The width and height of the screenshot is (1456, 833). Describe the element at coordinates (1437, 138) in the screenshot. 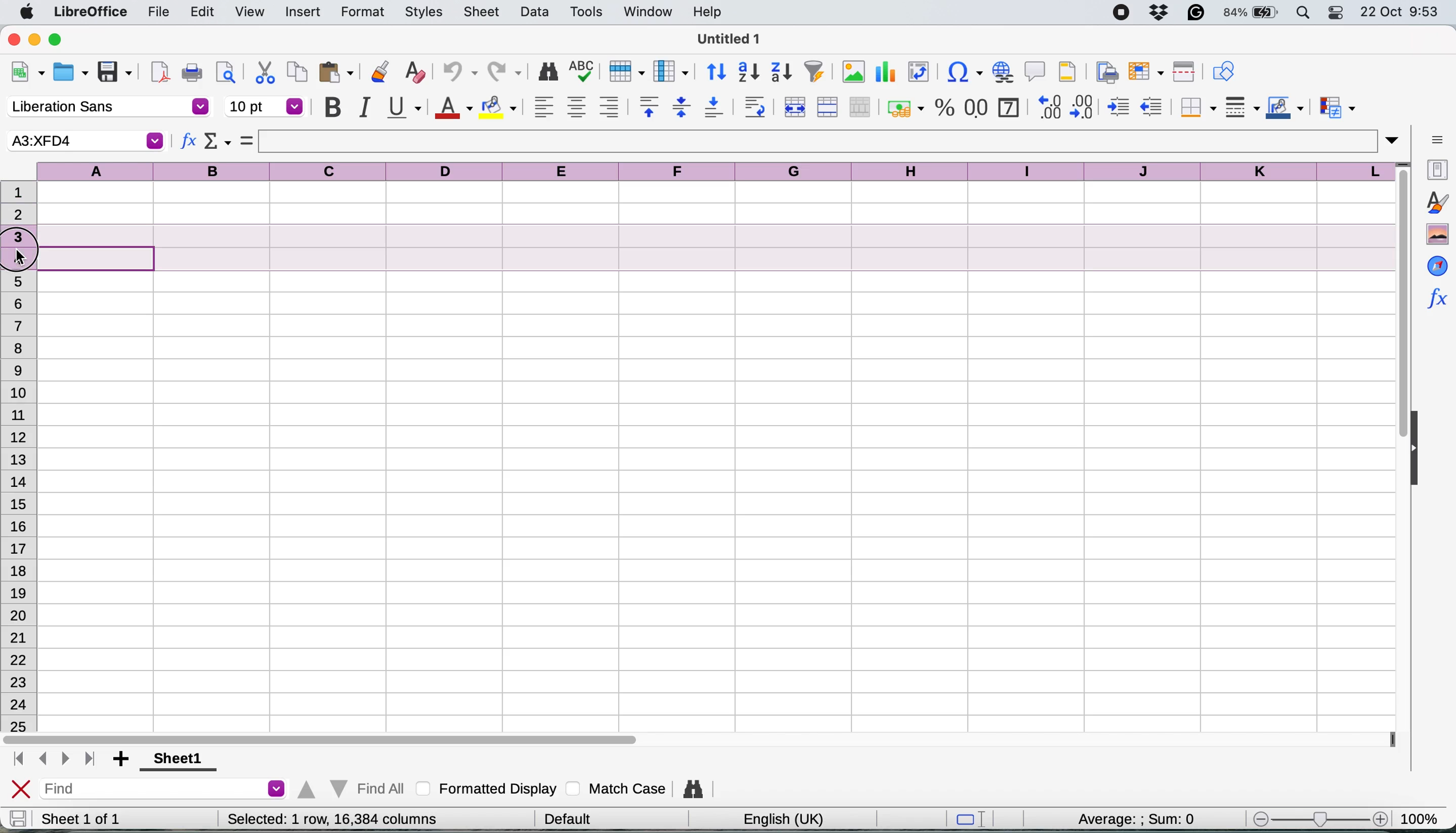

I see `sidebar settings` at that location.